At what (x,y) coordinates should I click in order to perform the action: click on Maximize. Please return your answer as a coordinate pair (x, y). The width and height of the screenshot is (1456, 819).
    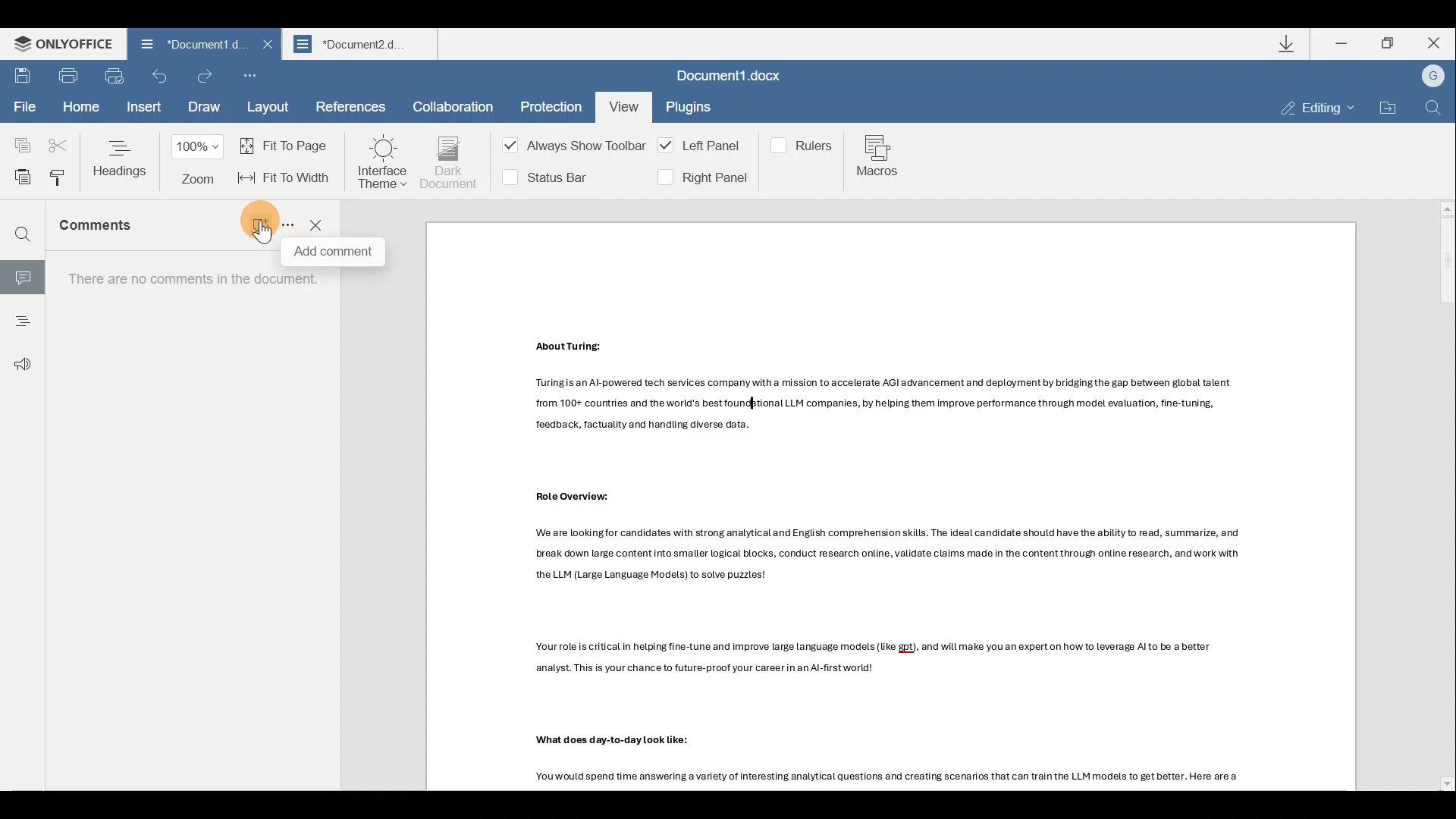
    Looking at the image, I should click on (1391, 43).